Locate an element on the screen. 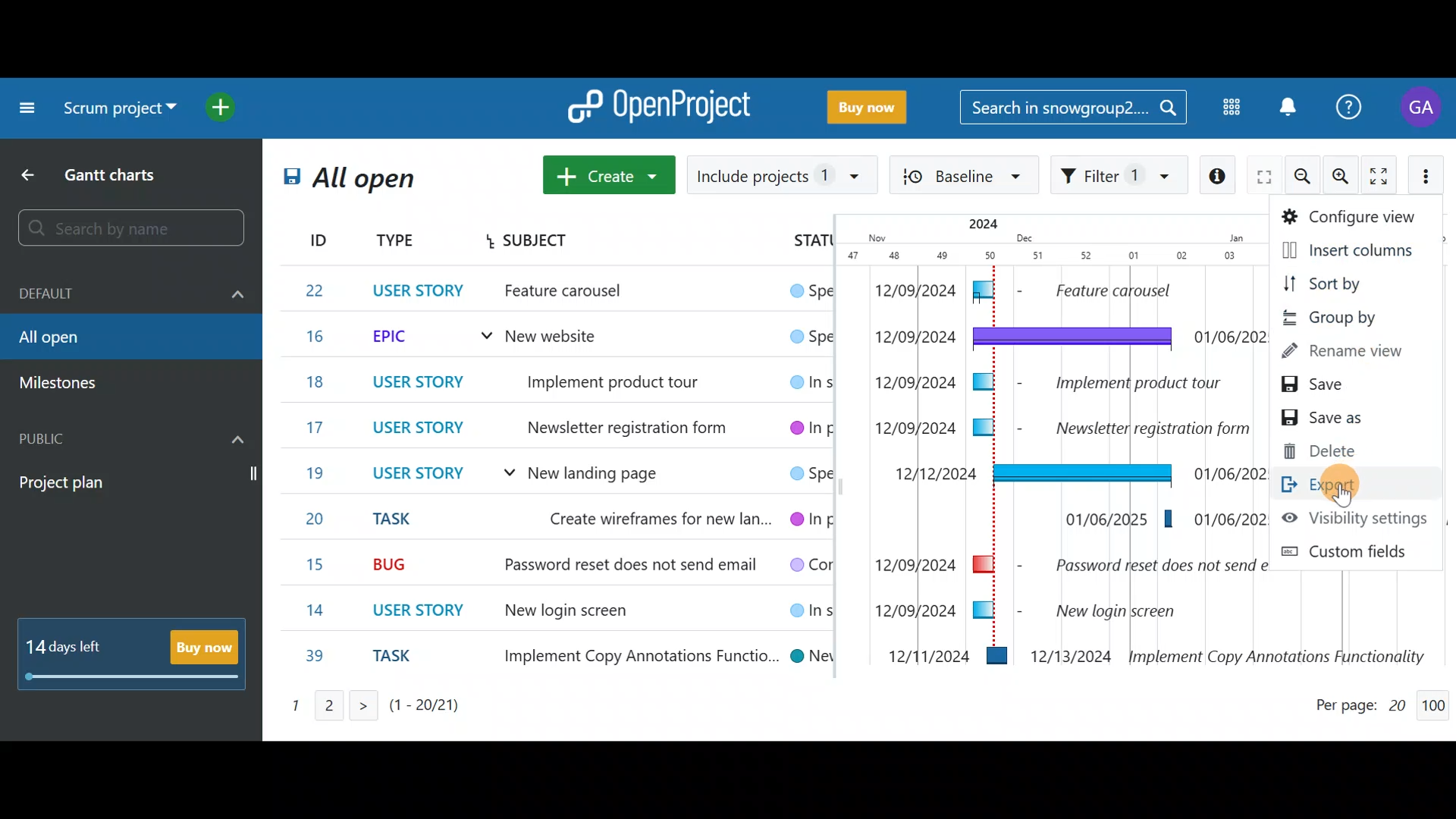 The image size is (1456, 819). 14 is located at coordinates (320, 610).